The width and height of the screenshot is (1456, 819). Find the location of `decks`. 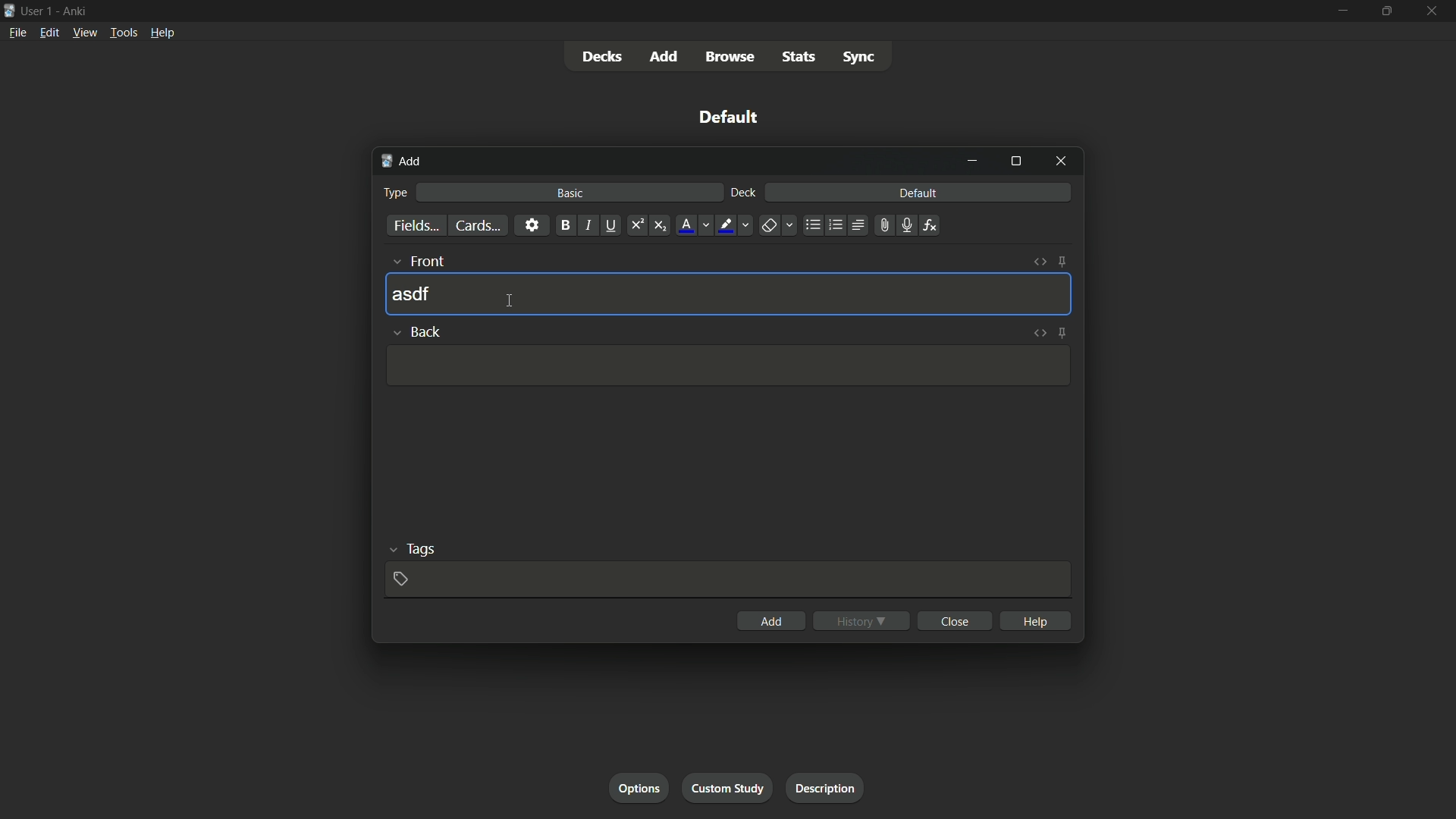

decks is located at coordinates (604, 55).